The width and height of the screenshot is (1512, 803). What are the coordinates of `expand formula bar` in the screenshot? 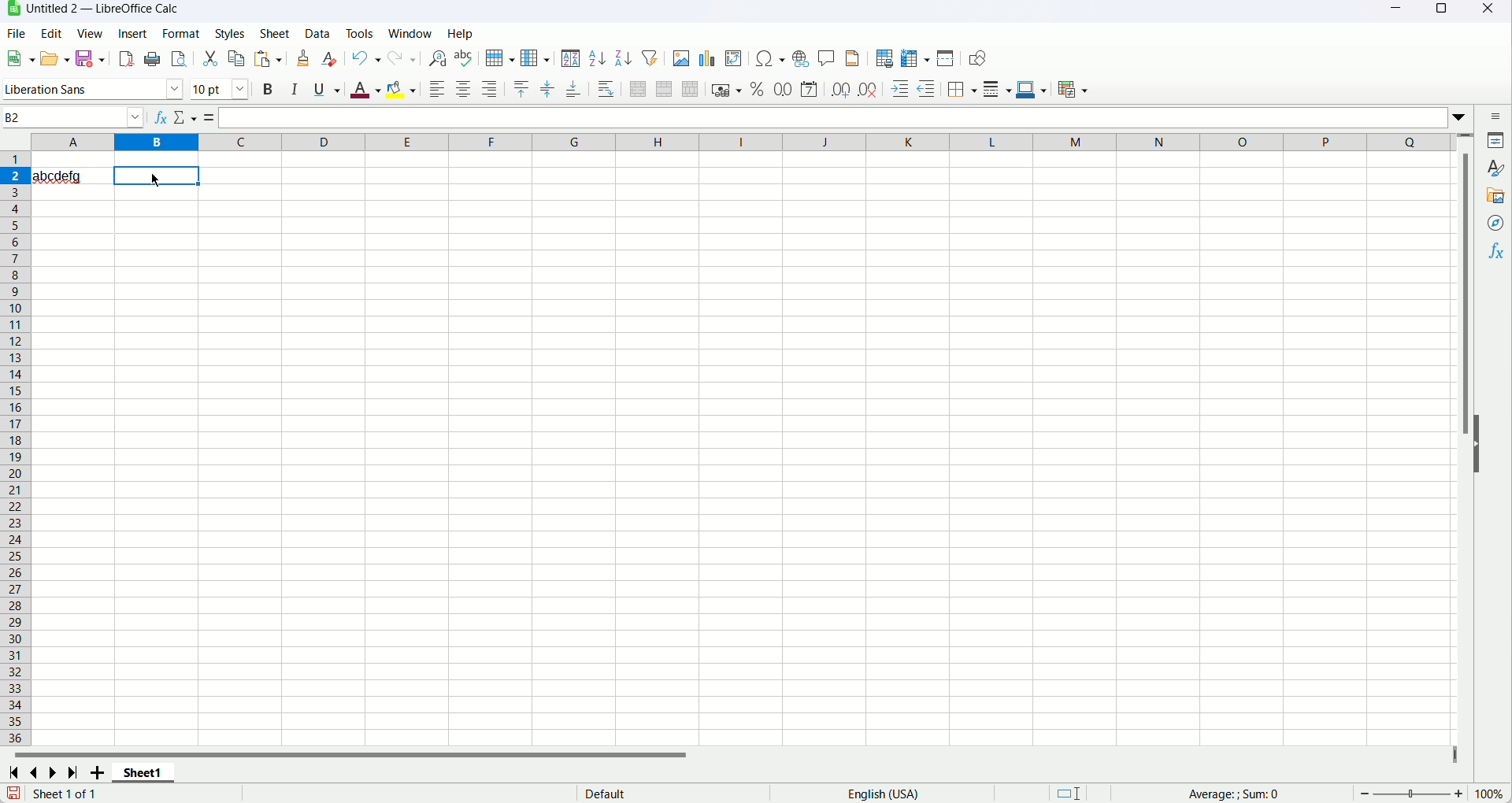 It's located at (1464, 117).